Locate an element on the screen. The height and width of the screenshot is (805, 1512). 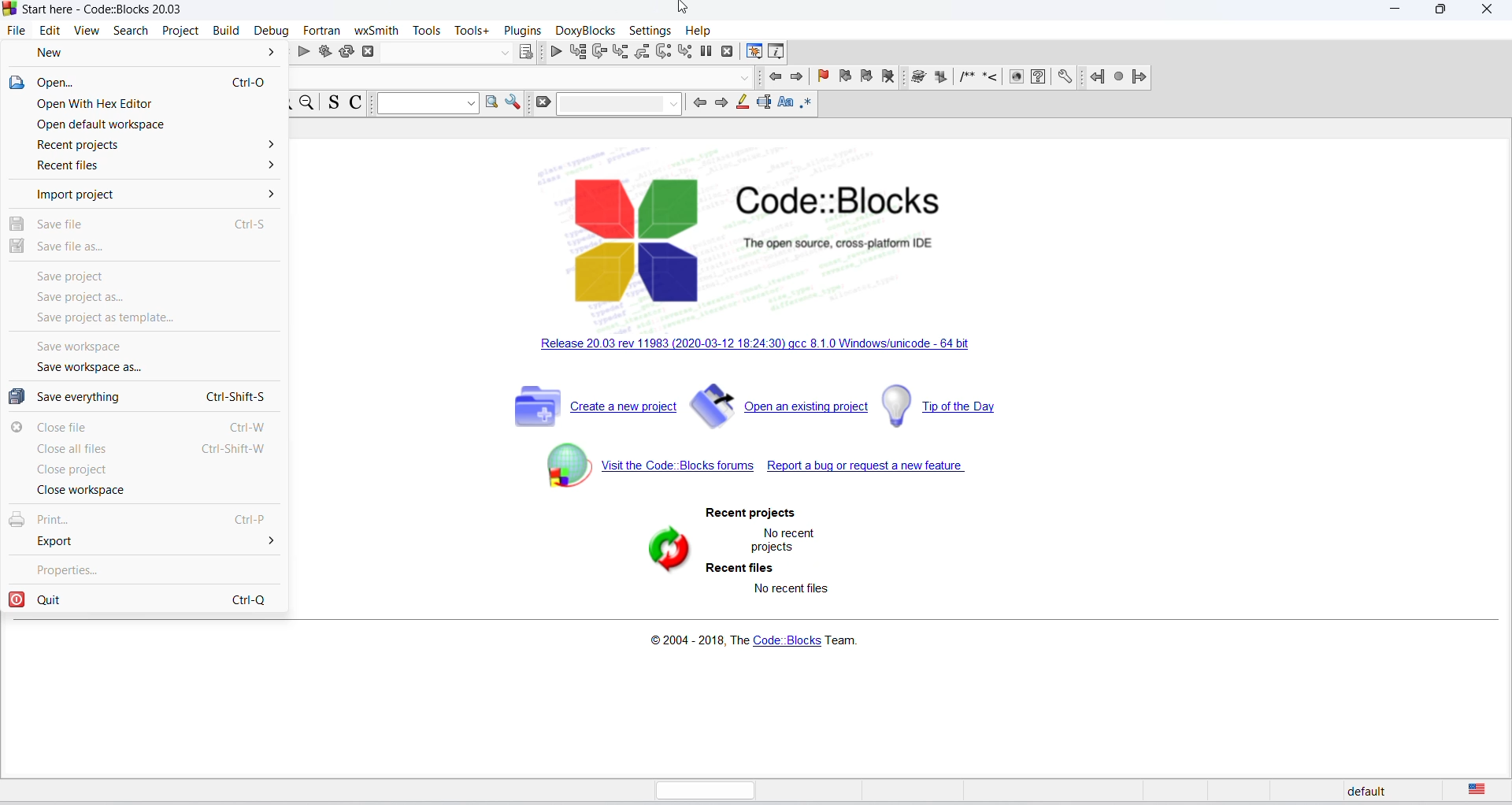
maximize is located at coordinates (1442, 12).